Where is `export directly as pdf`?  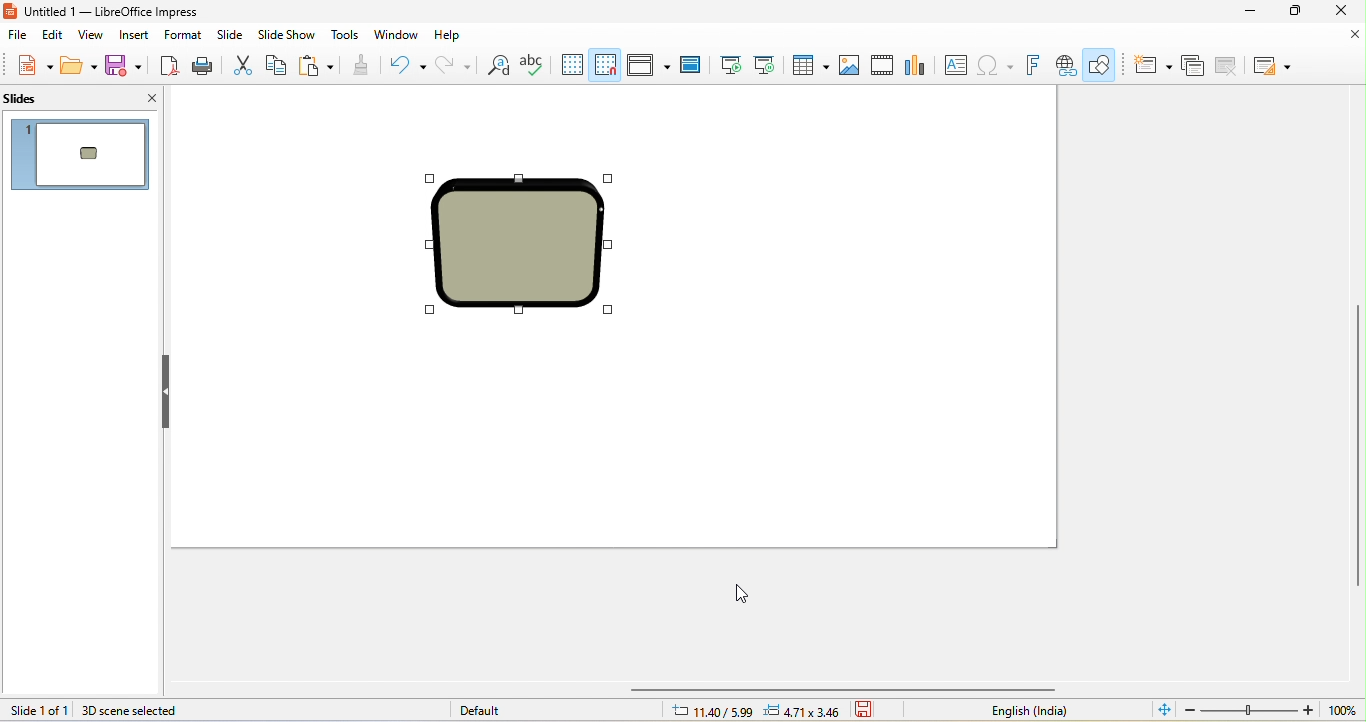
export directly as pdf is located at coordinates (170, 64).